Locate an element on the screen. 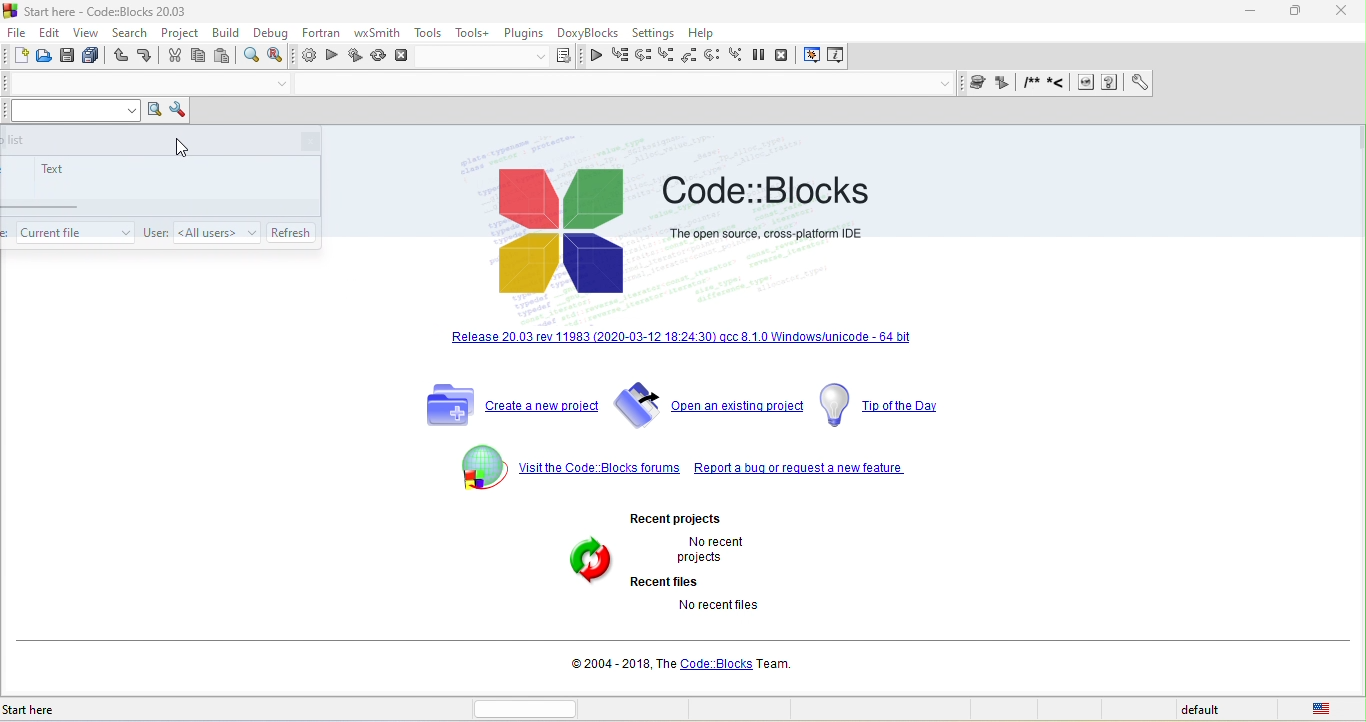 The image size is (1366, 722). open tab is located at coordinates (616, 86).